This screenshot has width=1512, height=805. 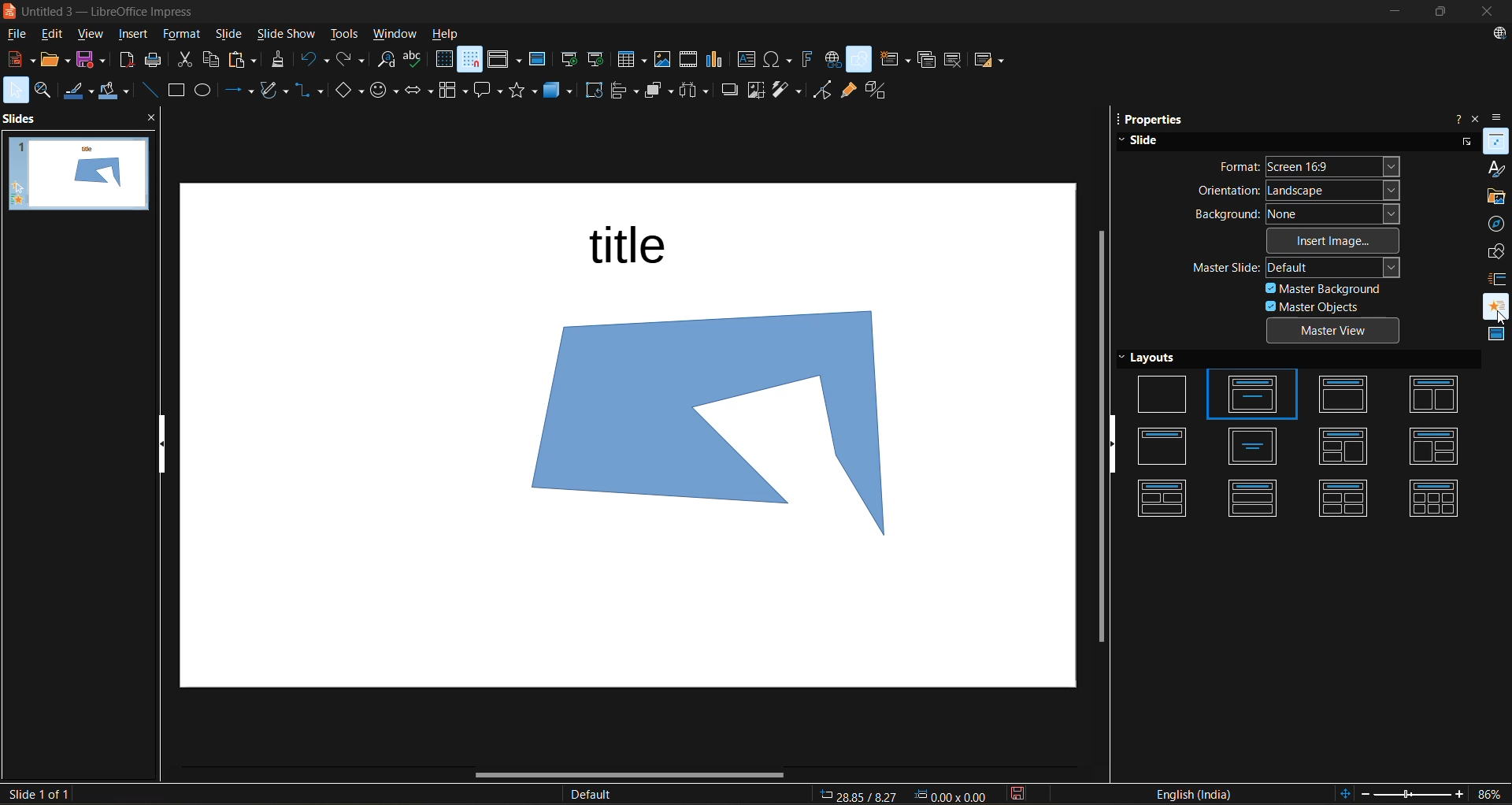 What do you see at coordinates (1501, 117) in the screenshot?
I see `sidebar settings` at bounding box center [1501, 117].